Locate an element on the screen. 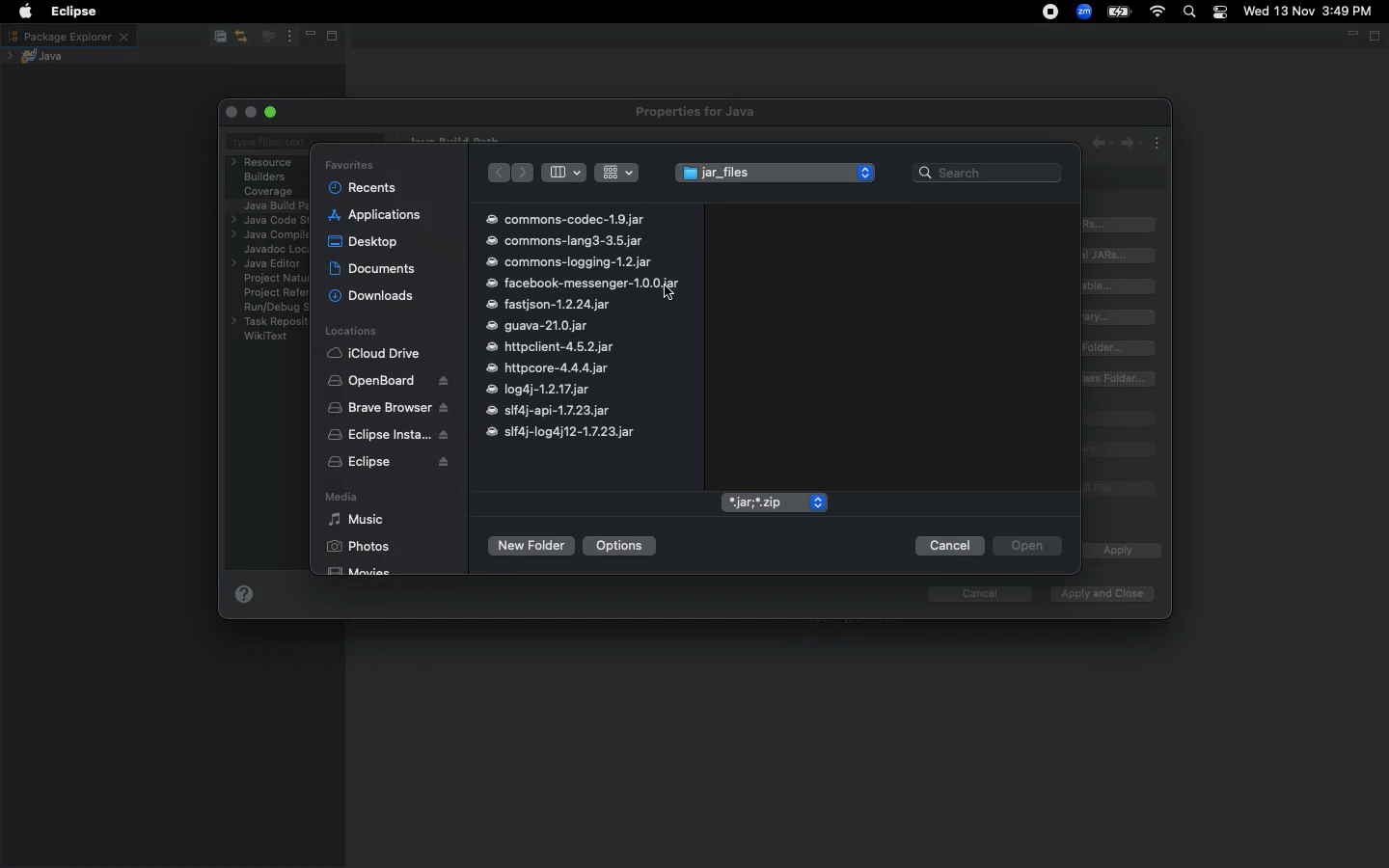 This screenshot has width=1389, height=868. Javadoc location is located at coordinates (273, 250).